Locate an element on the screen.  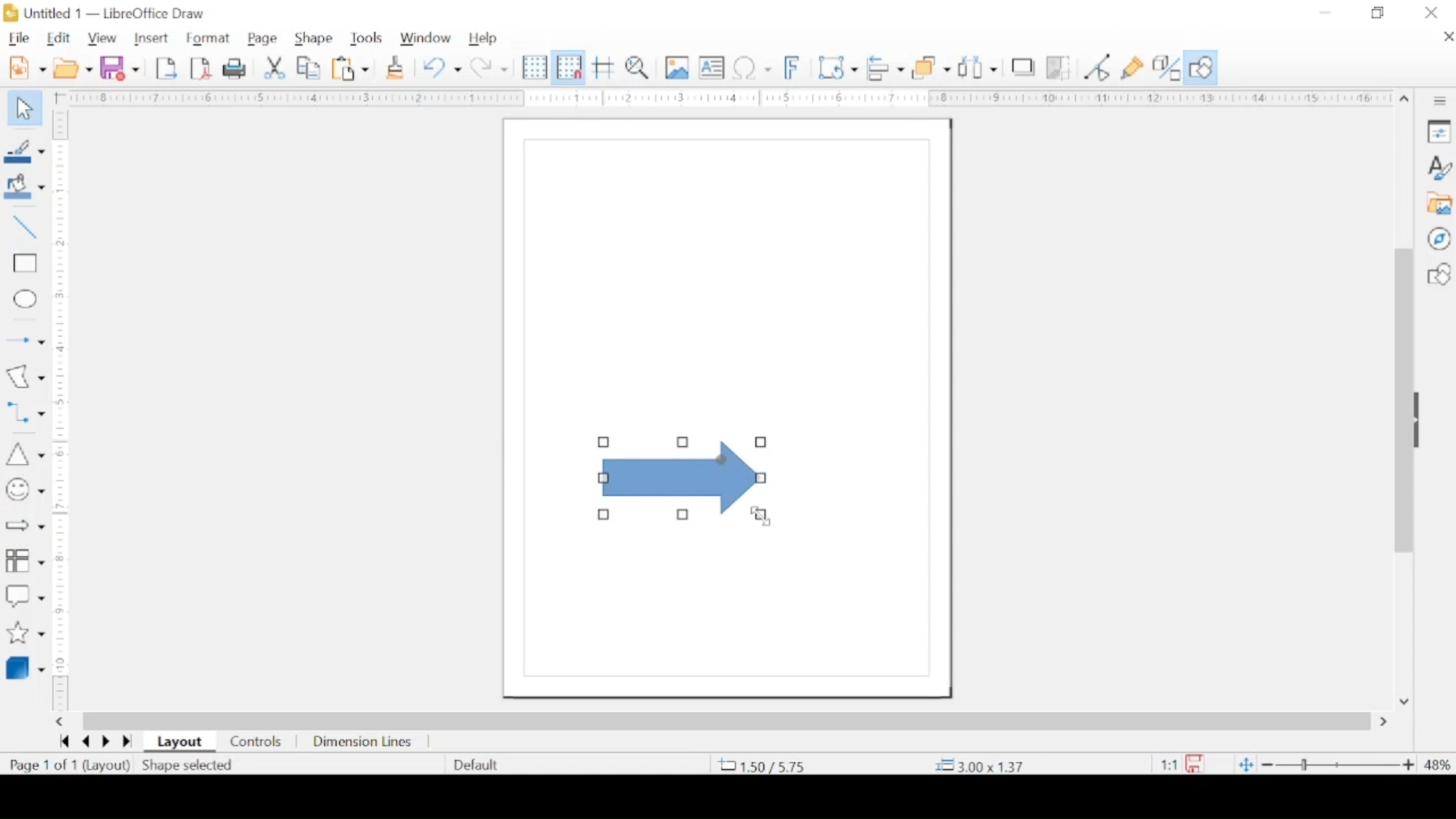
resize handle is located at coordinates (761, 442).